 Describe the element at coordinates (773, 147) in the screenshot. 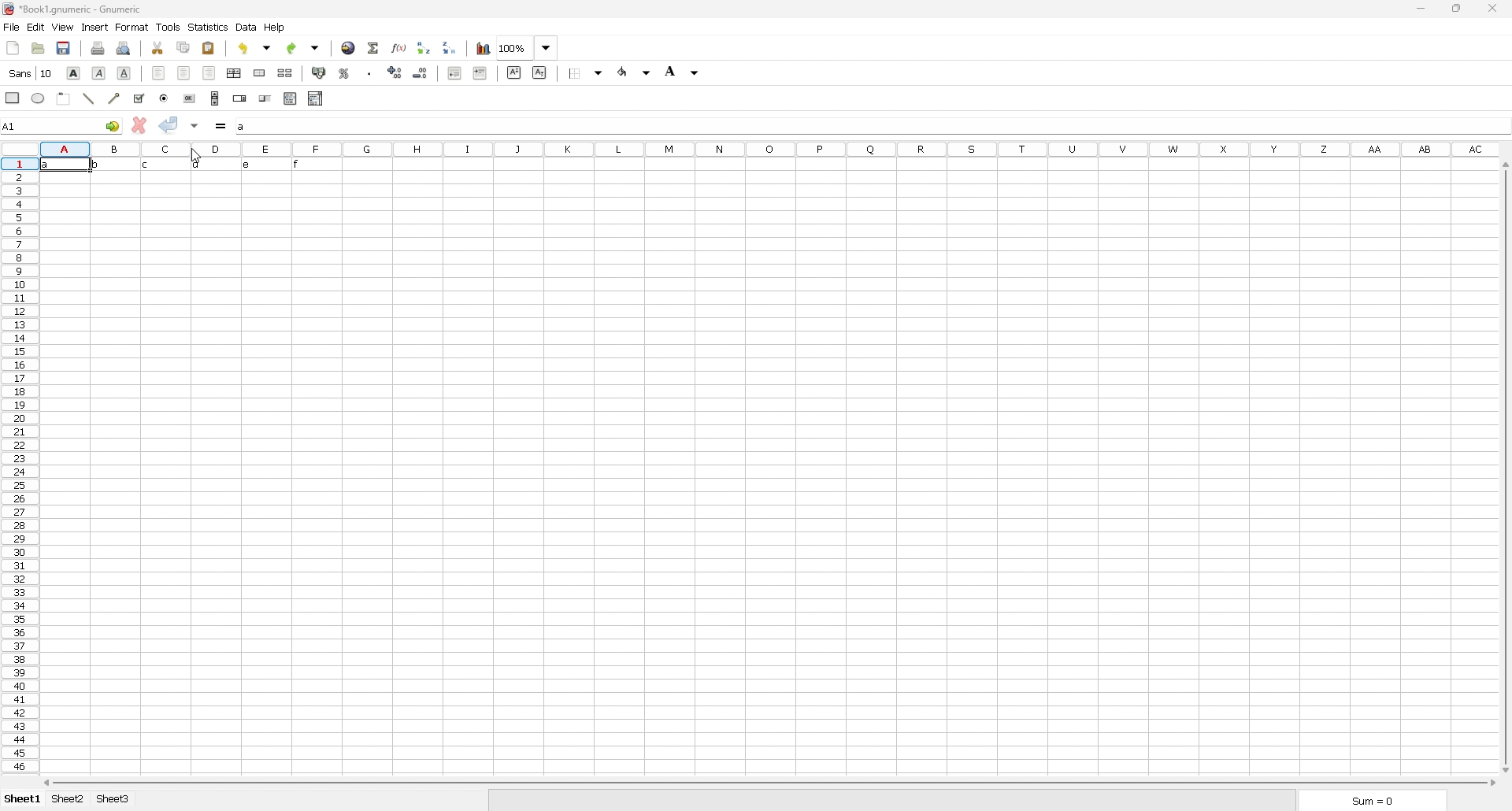

I see `columns` at that location.